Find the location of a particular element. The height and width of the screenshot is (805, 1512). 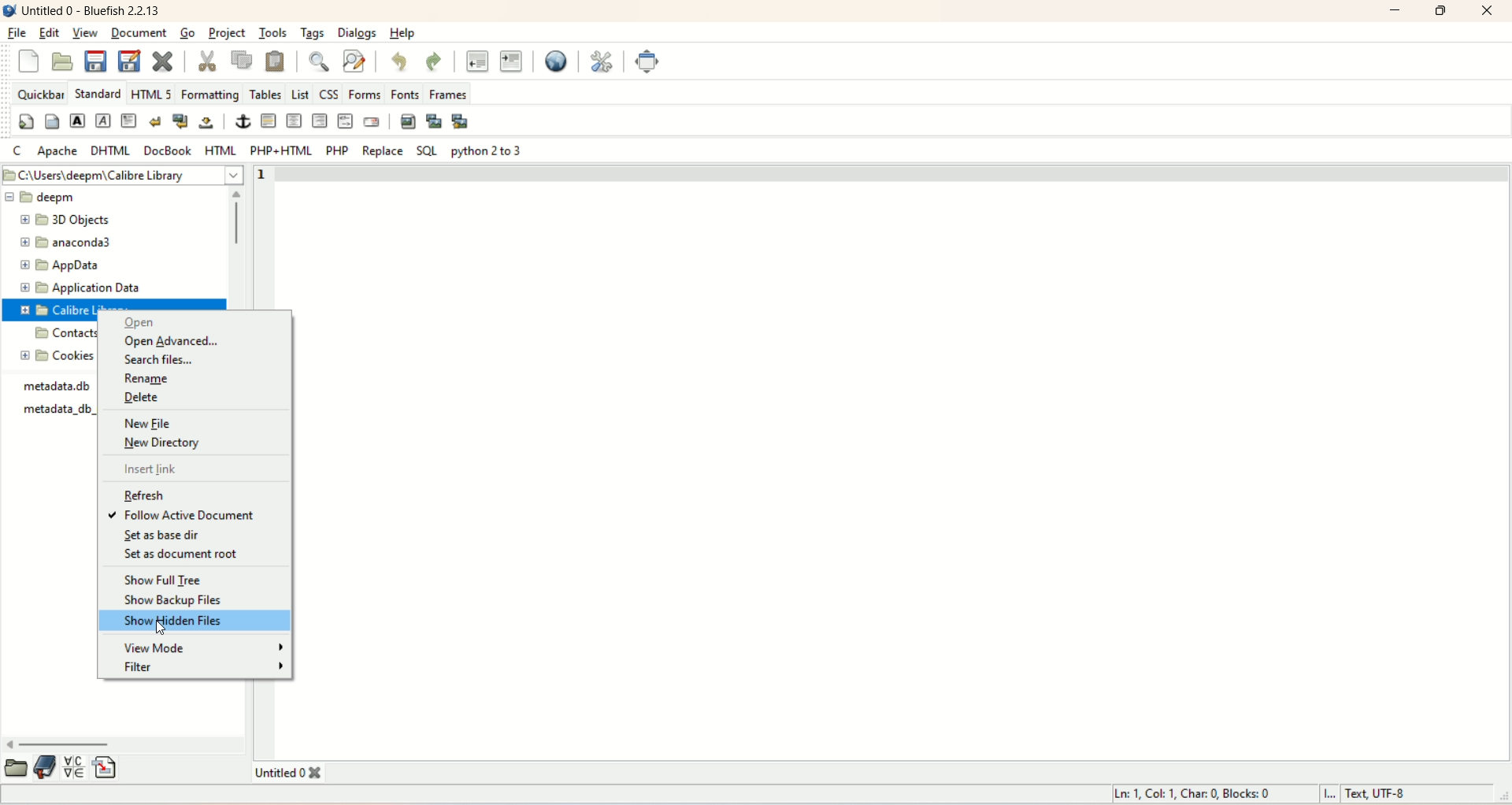

Standard is located at coordinates (96, 92).